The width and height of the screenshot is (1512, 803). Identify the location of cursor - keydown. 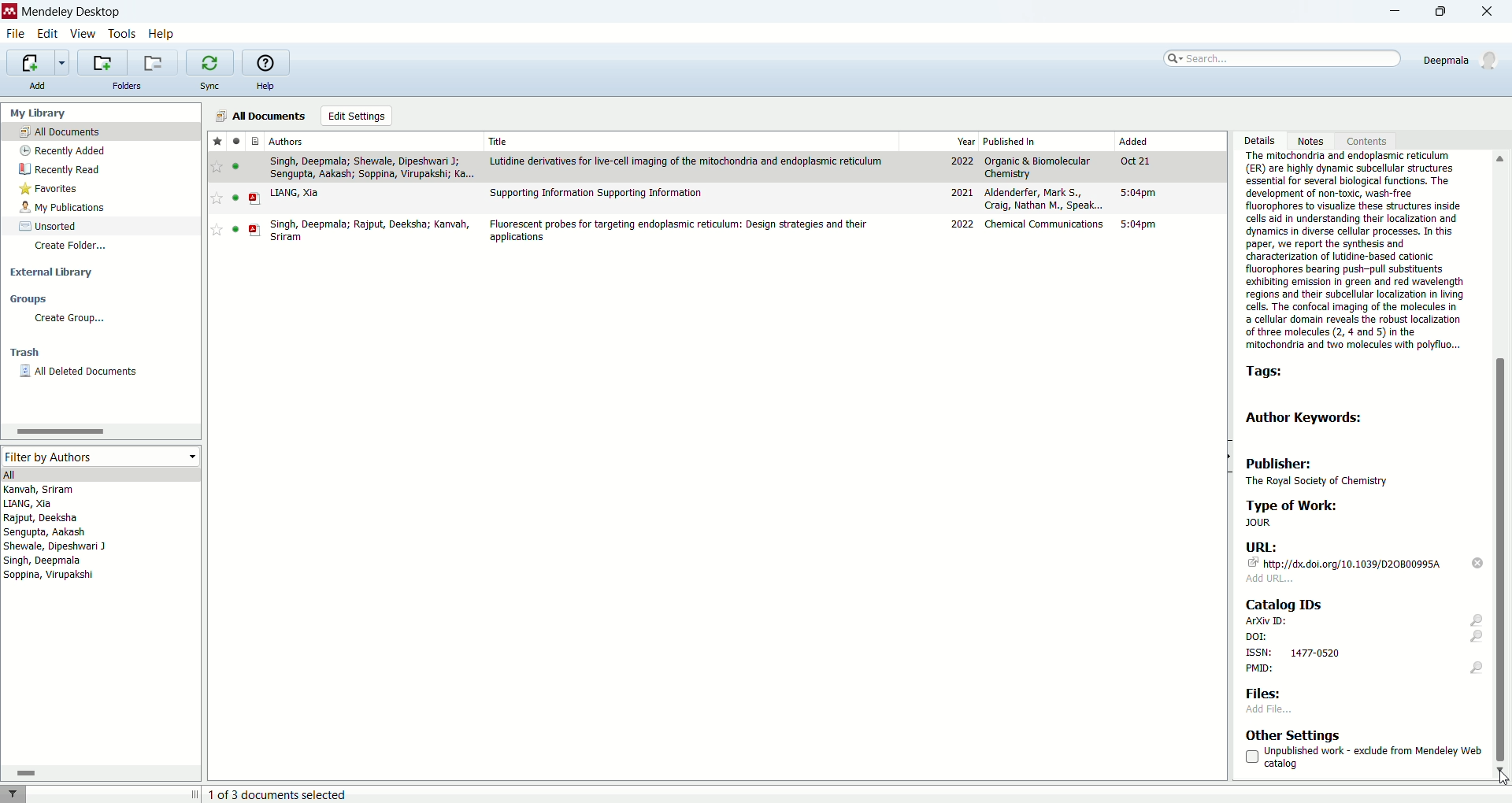
(1501, 779).